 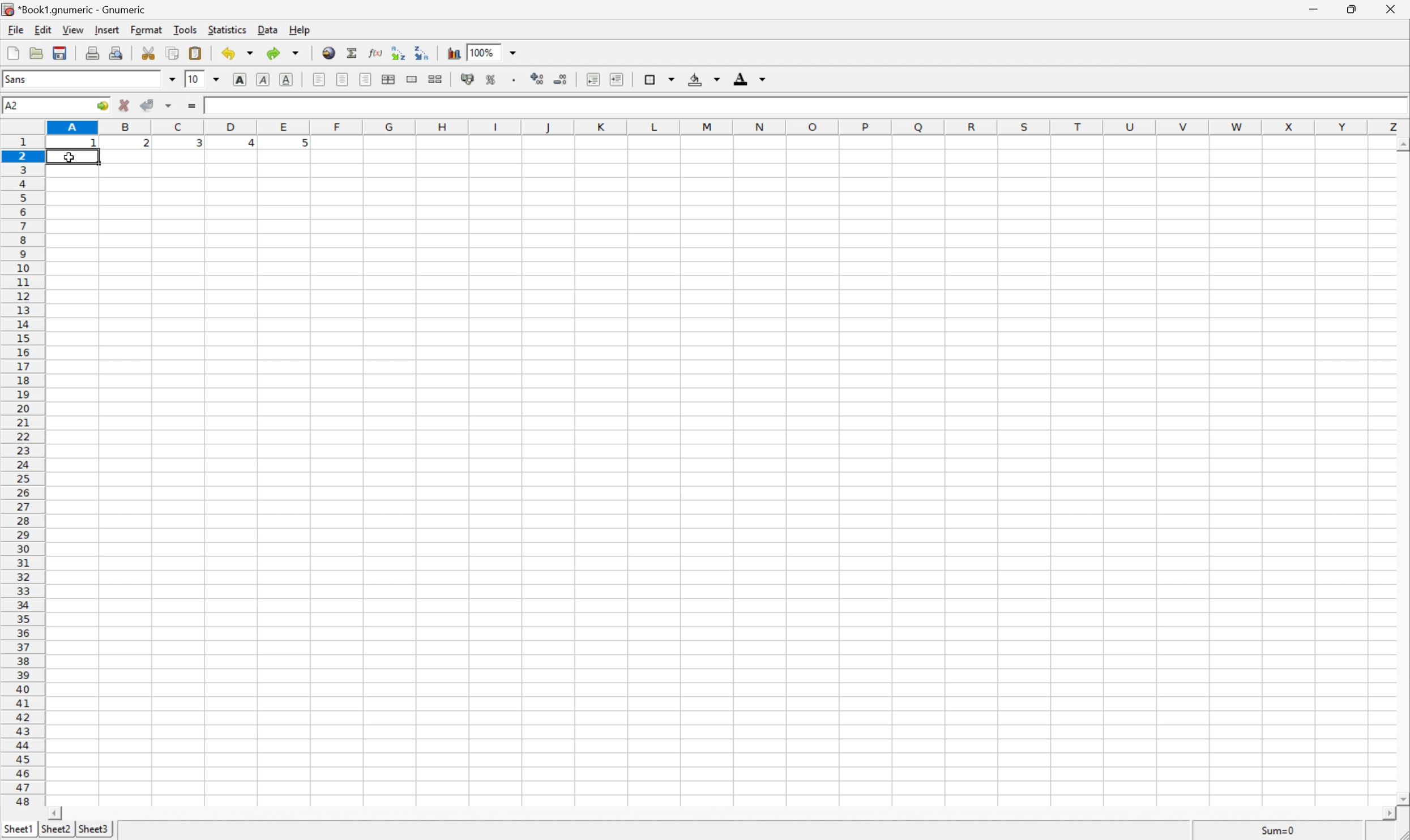 I want to click on scroll right, so click(x=1390, y=815).